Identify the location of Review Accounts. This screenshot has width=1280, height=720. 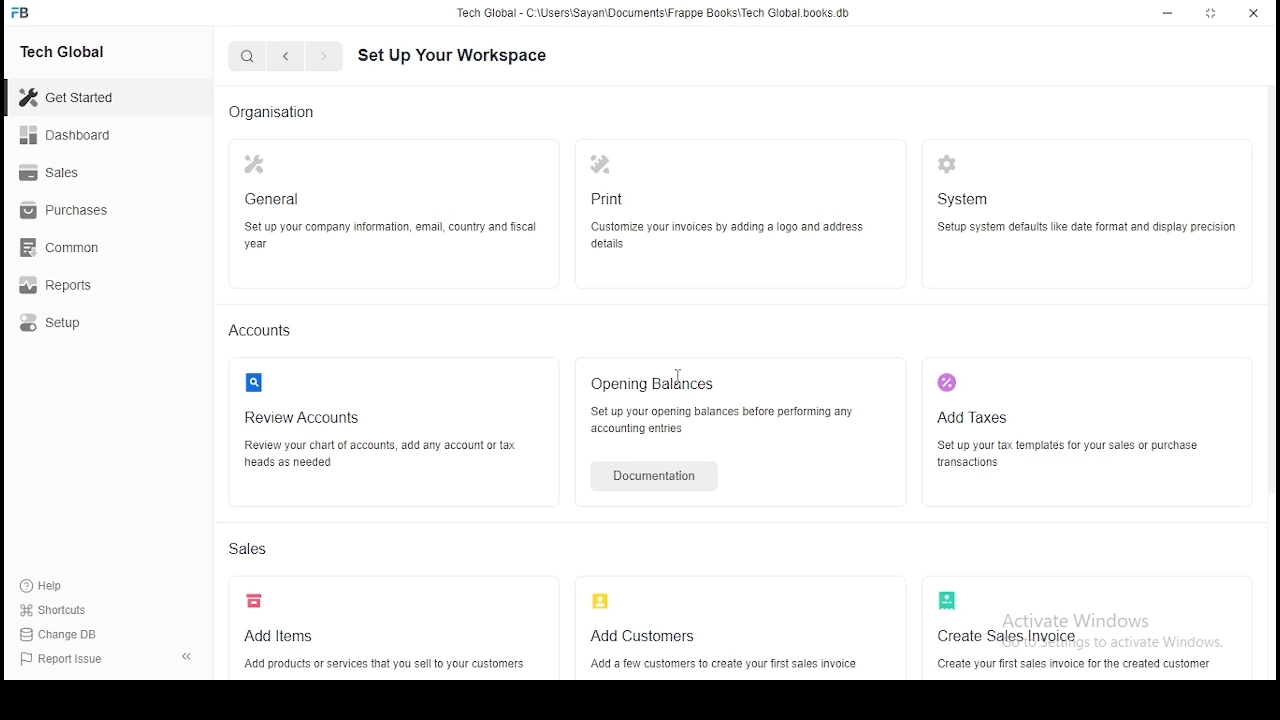
(391, 422).